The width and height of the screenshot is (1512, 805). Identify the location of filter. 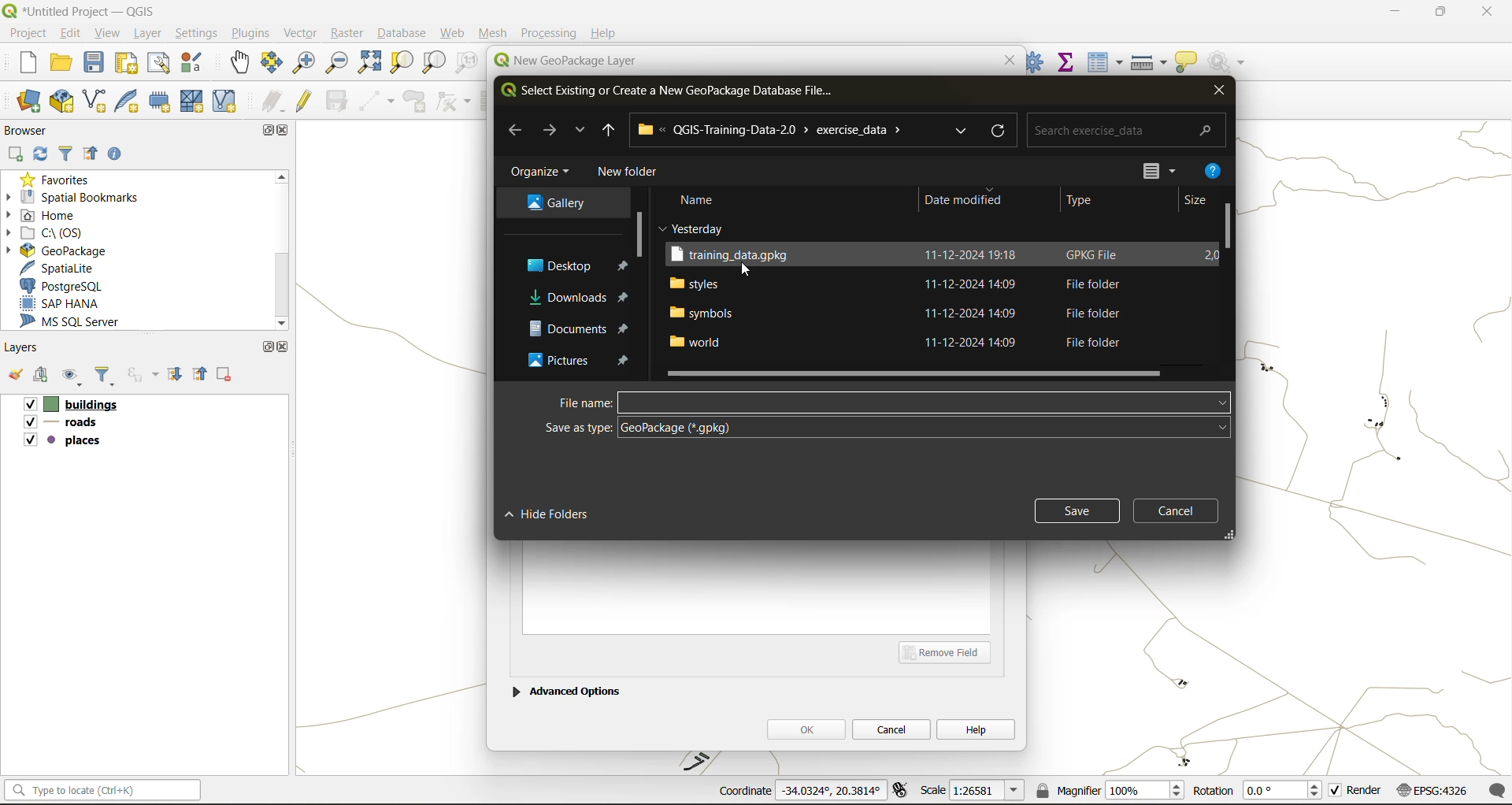
(108, 377).